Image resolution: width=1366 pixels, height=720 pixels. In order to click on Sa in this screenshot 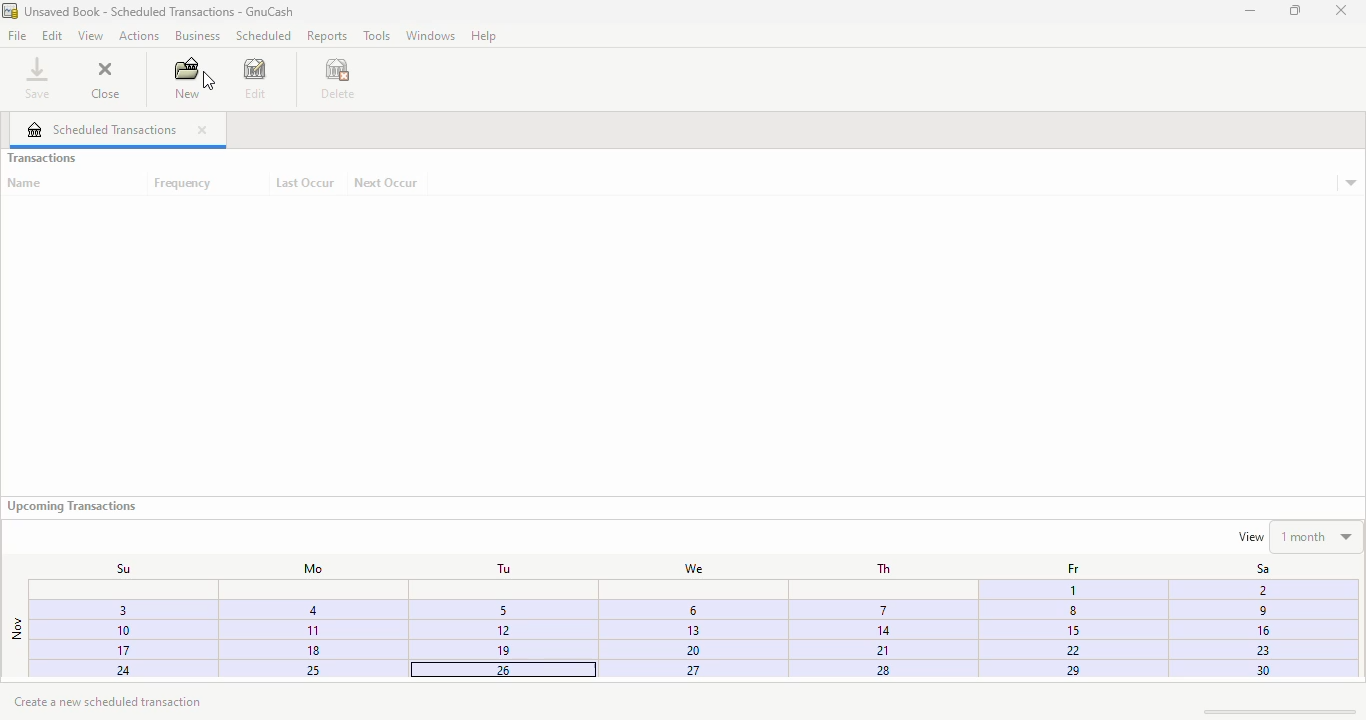, I will do `click(1252, 569)`.